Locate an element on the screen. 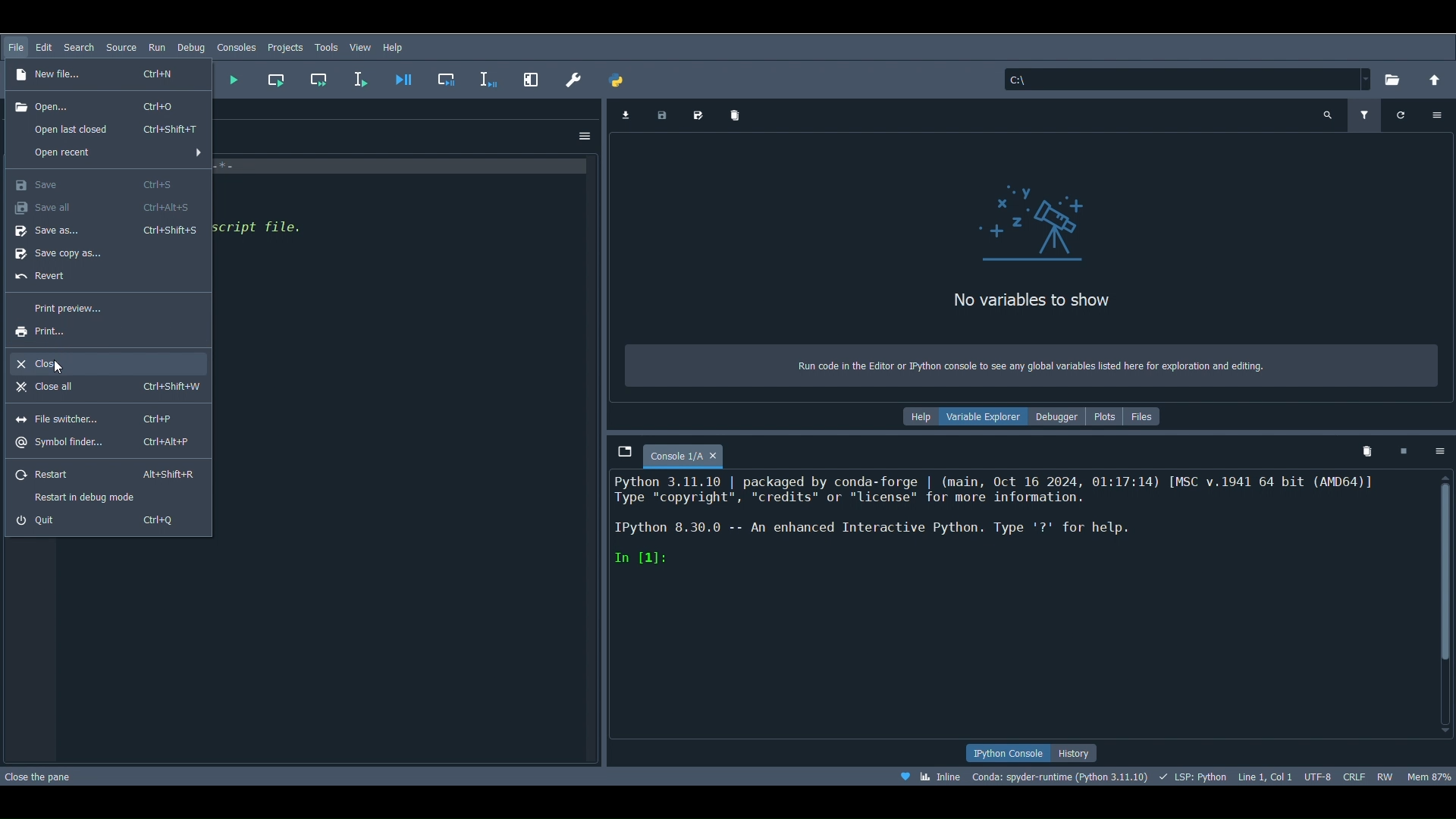  Restart is located at coordinates (105, 472).